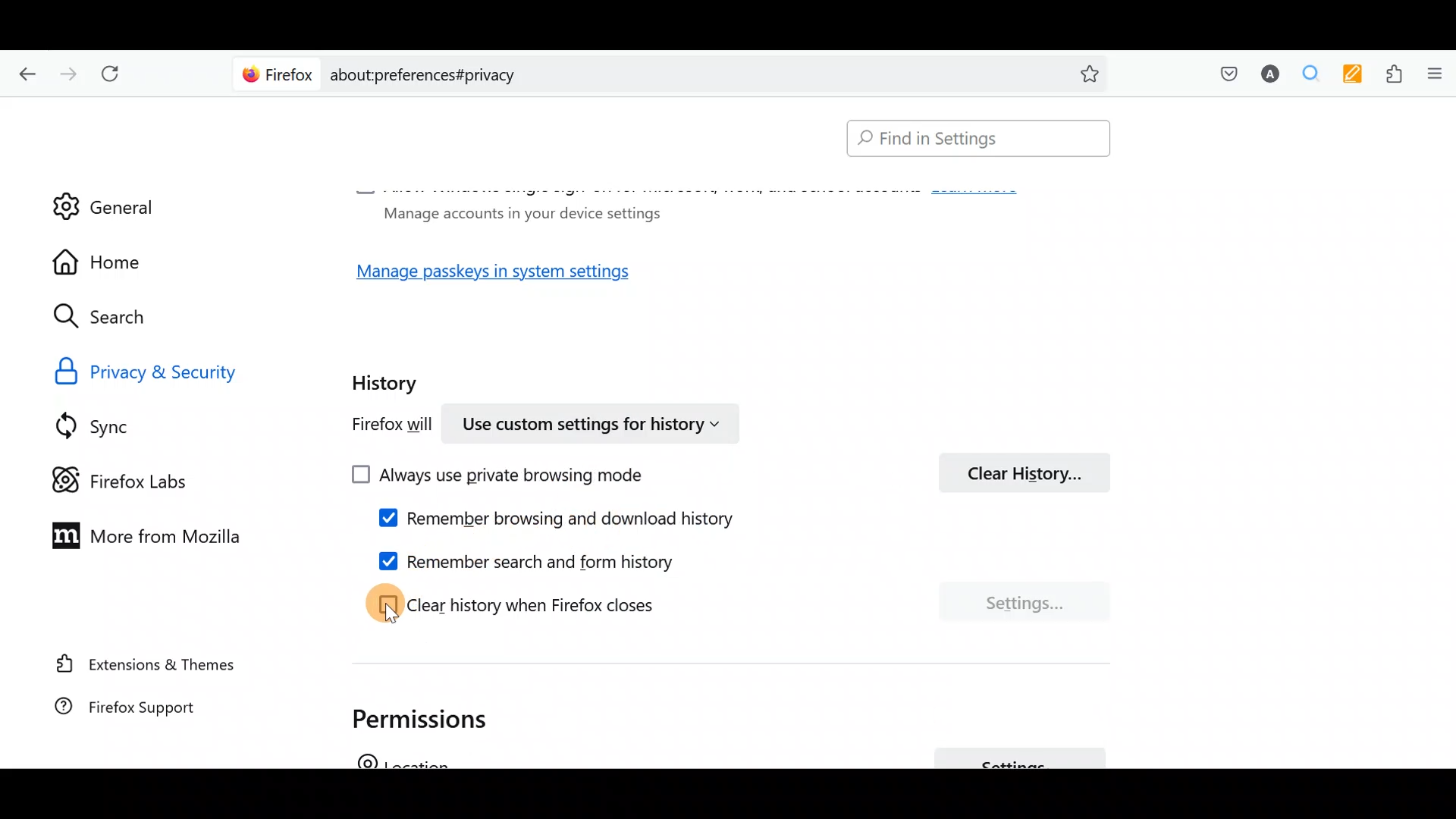  What do you see at coordinates (429, 715) in the screenshot?
I see `Permissions` at bounding box center [429, 715].